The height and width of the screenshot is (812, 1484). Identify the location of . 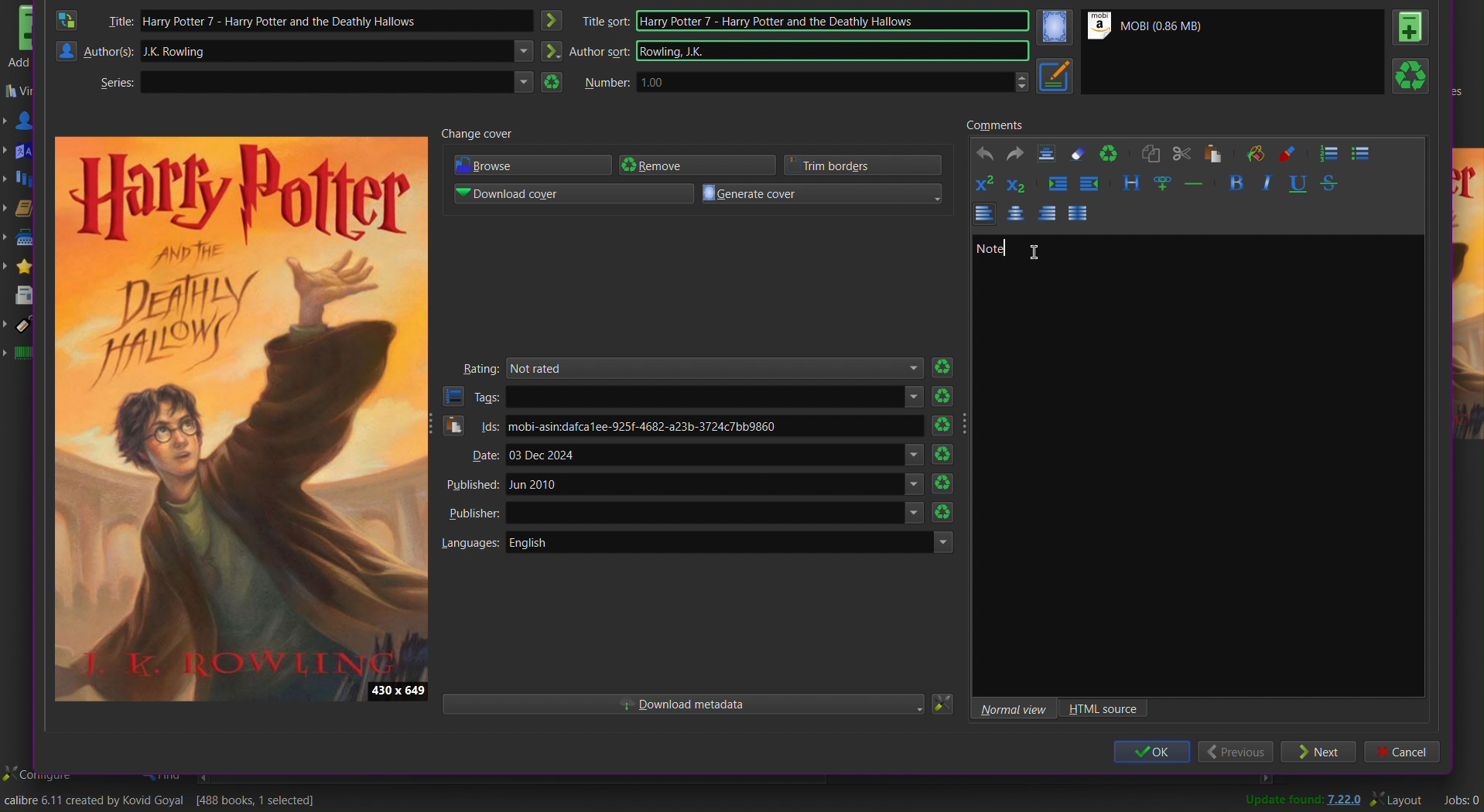
(716, 513).